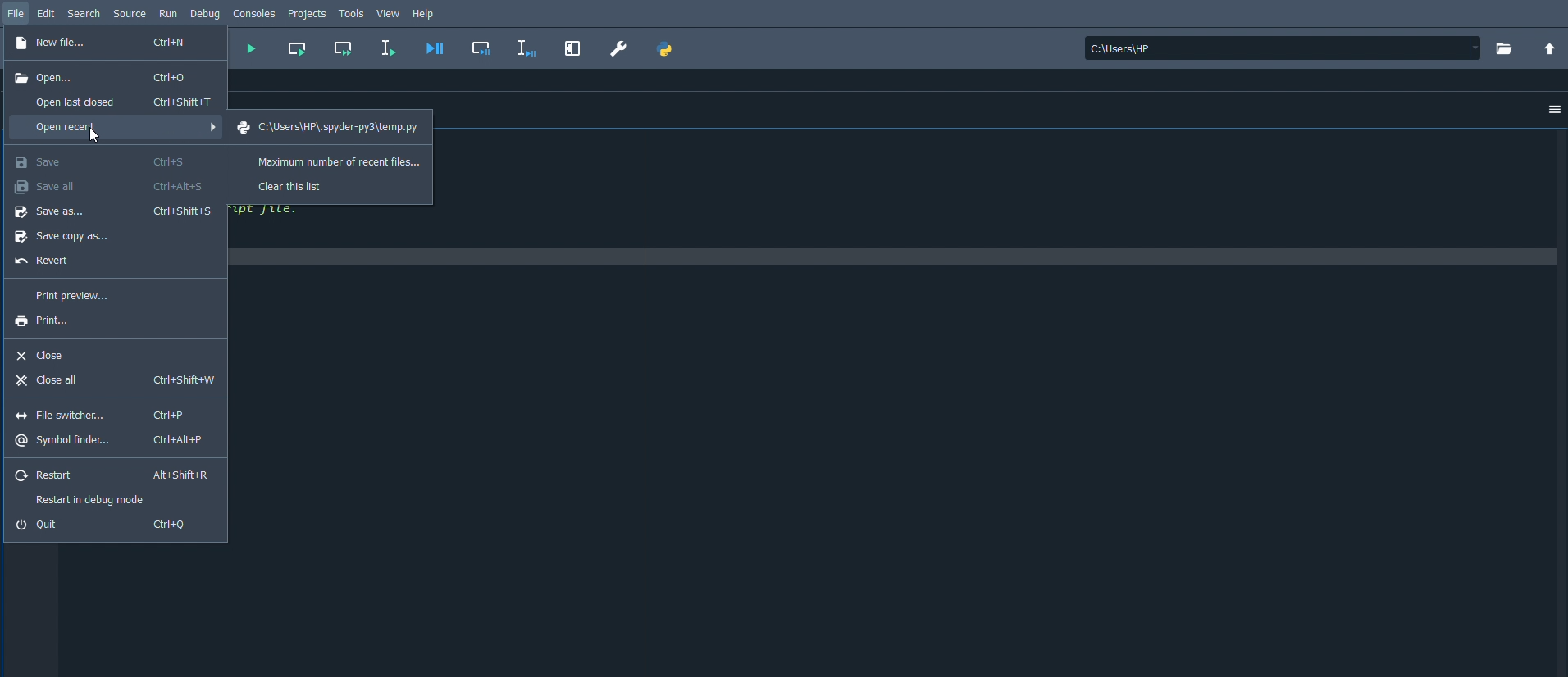 Image resolution: width=1568 pixels, height=677 pixels. What do you see at coordinates (73, 296) in the screenshot?
I see `Print preview` at bounding box center [73, 296].